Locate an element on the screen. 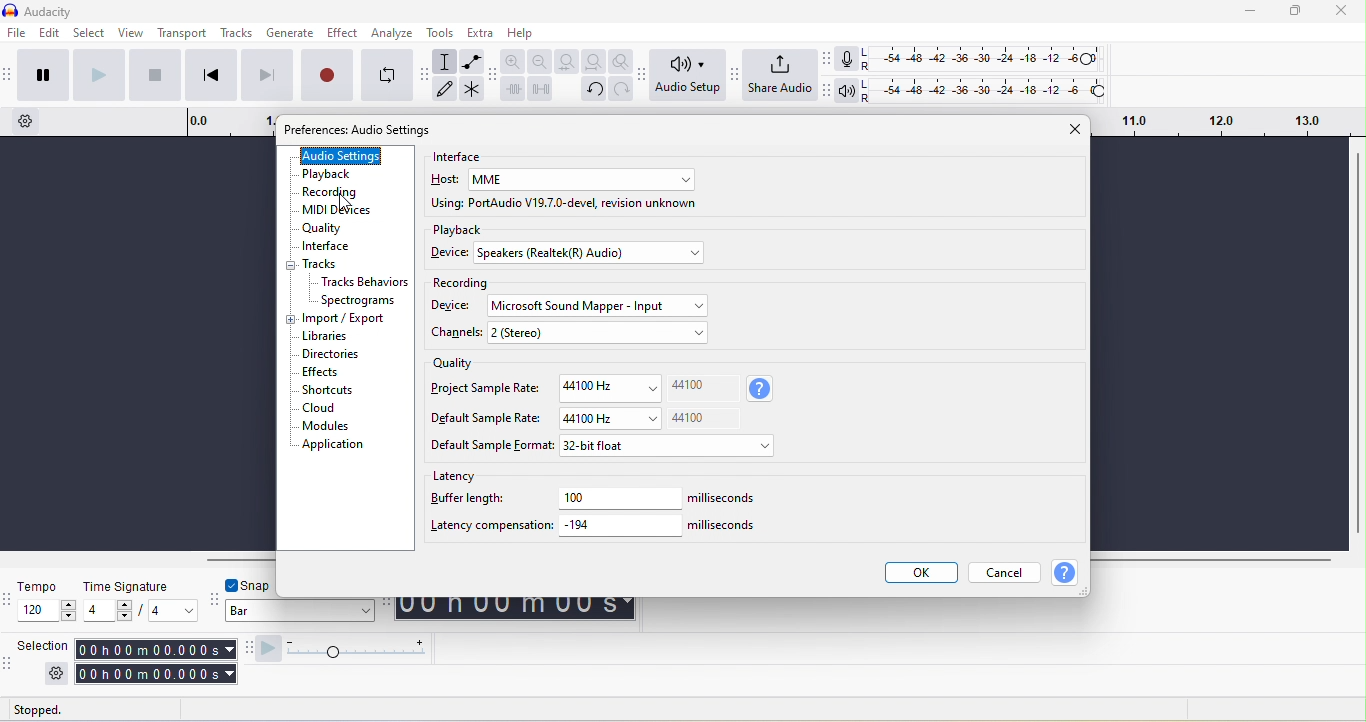  quality is located at coordinates (321, 228).